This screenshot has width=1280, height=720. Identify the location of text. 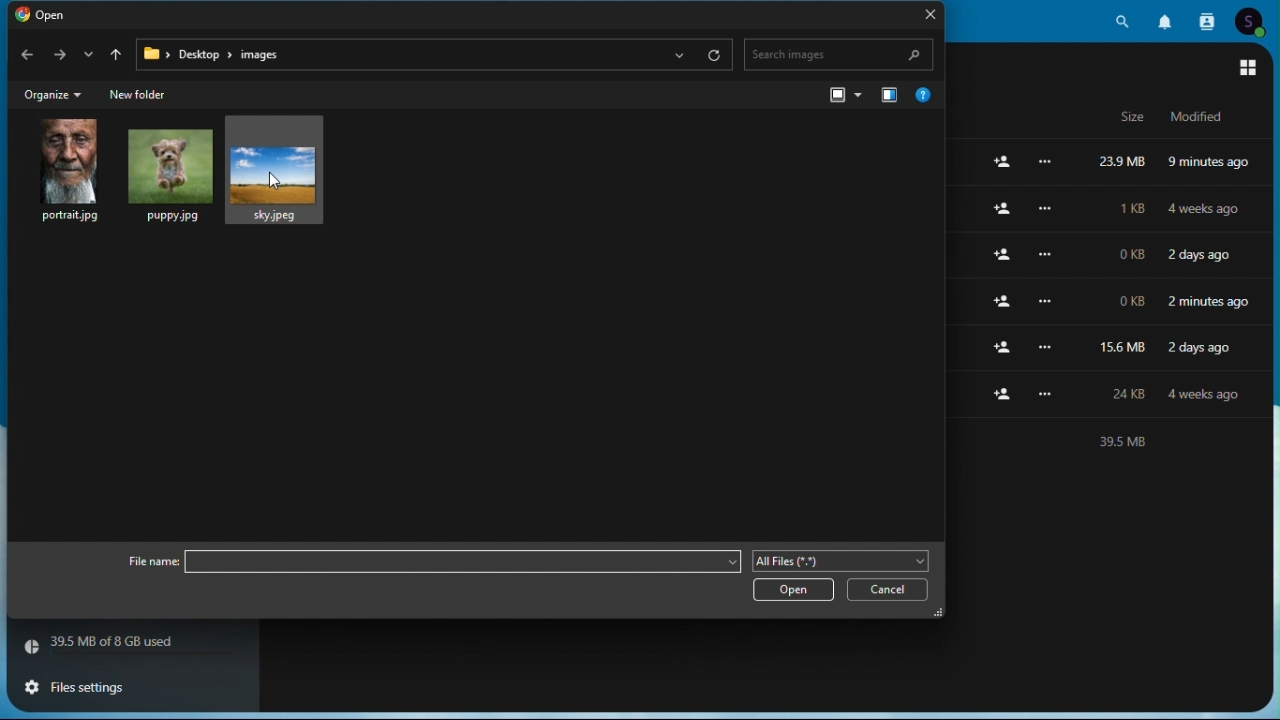
(1110, 442).